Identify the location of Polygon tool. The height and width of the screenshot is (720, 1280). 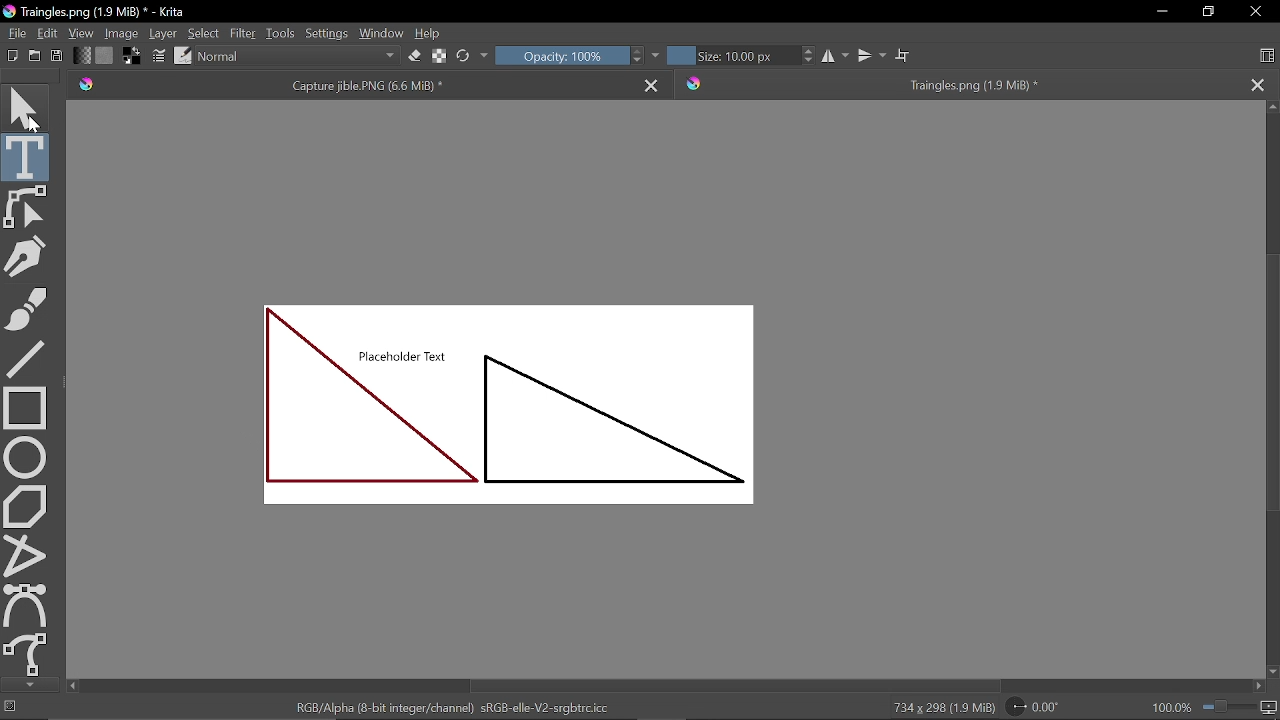
(25, 507).